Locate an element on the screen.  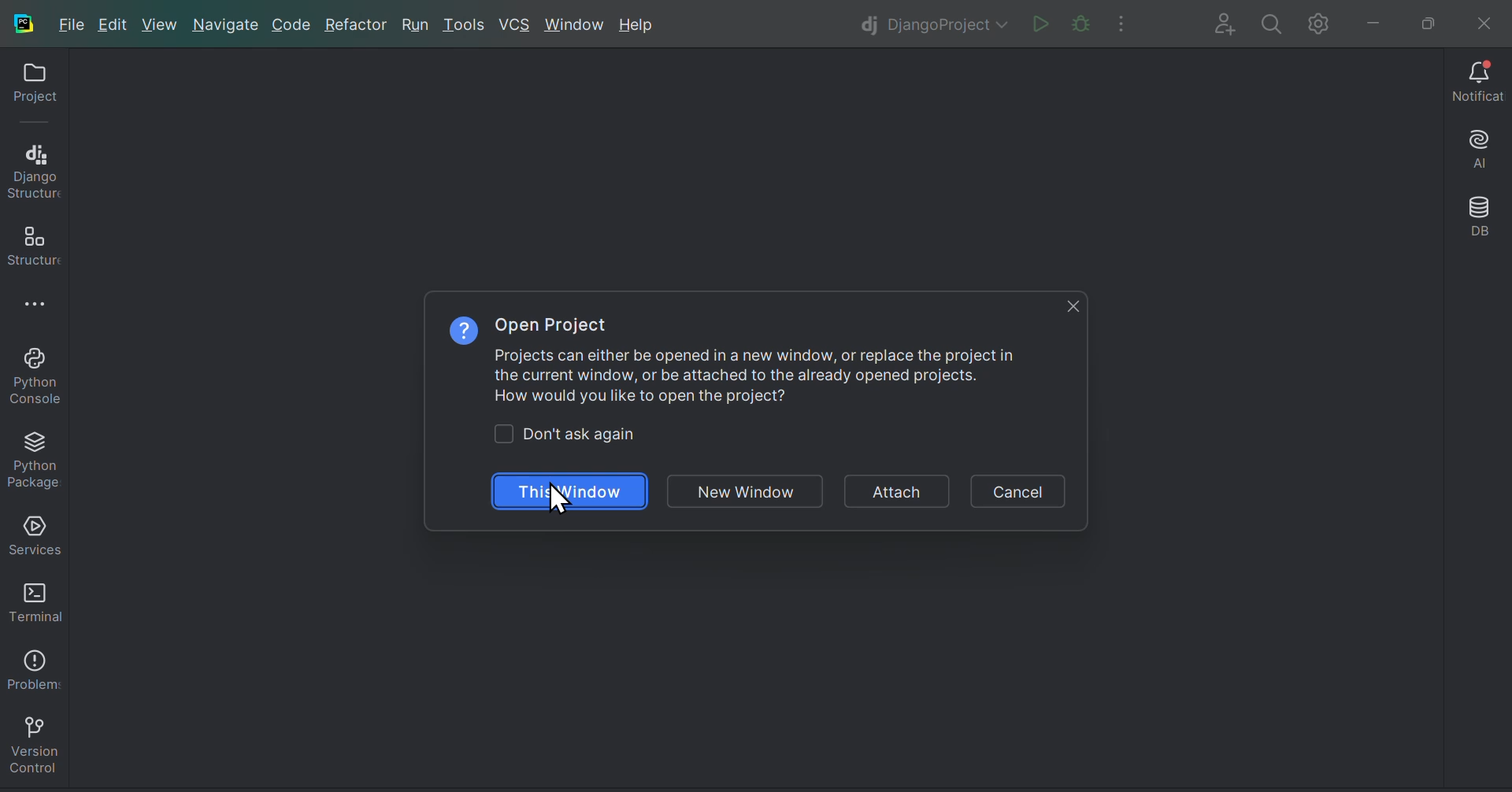
Refractor is located at coordinates (356, 24).